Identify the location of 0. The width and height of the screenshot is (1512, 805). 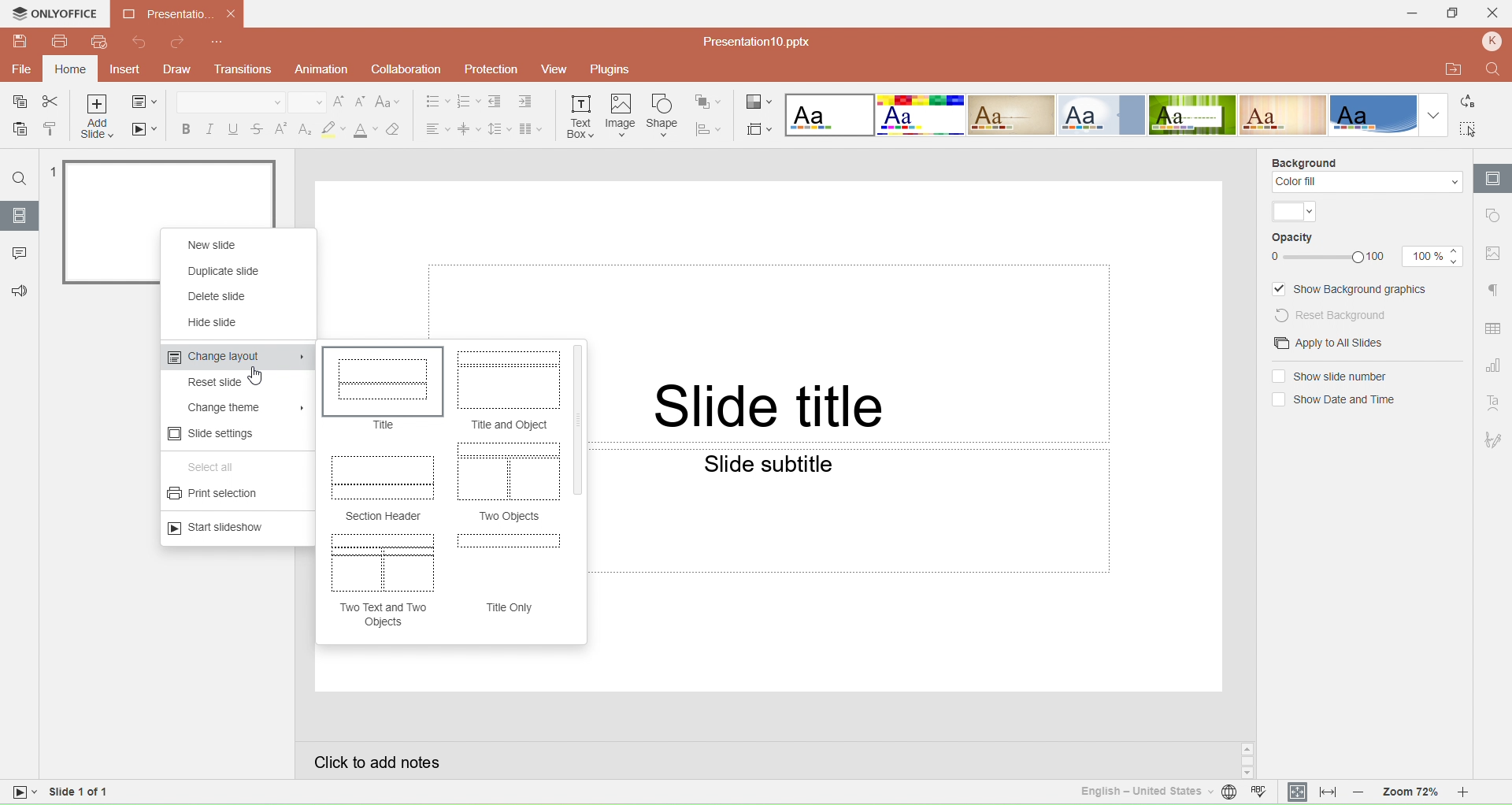
(1273, 258).